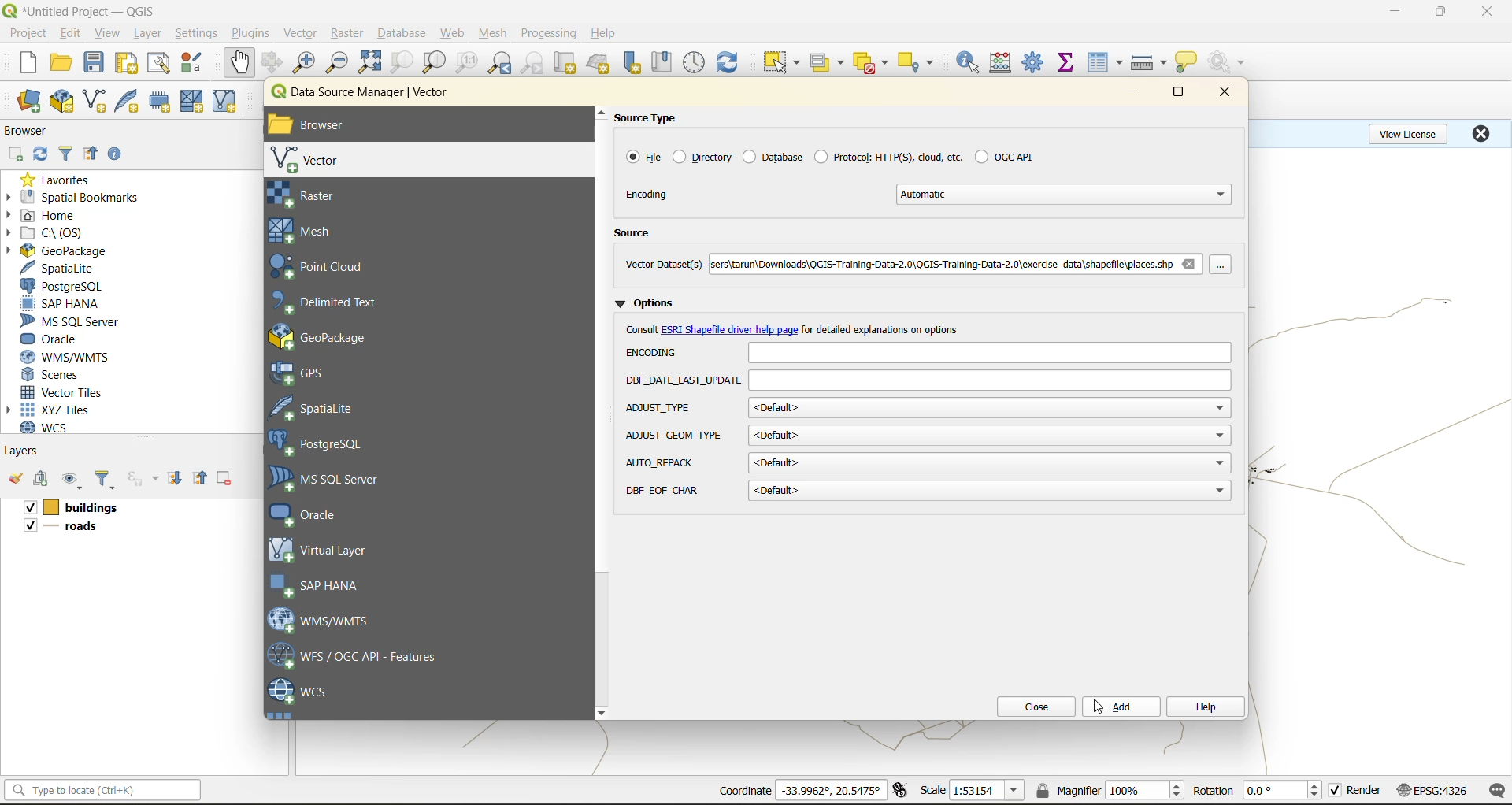 The height and width of the screenshot is (805, 1512). What do you see at coordinates (1121, 707) in the screenshot?
I see `add` at bounding box center [1121, 707].